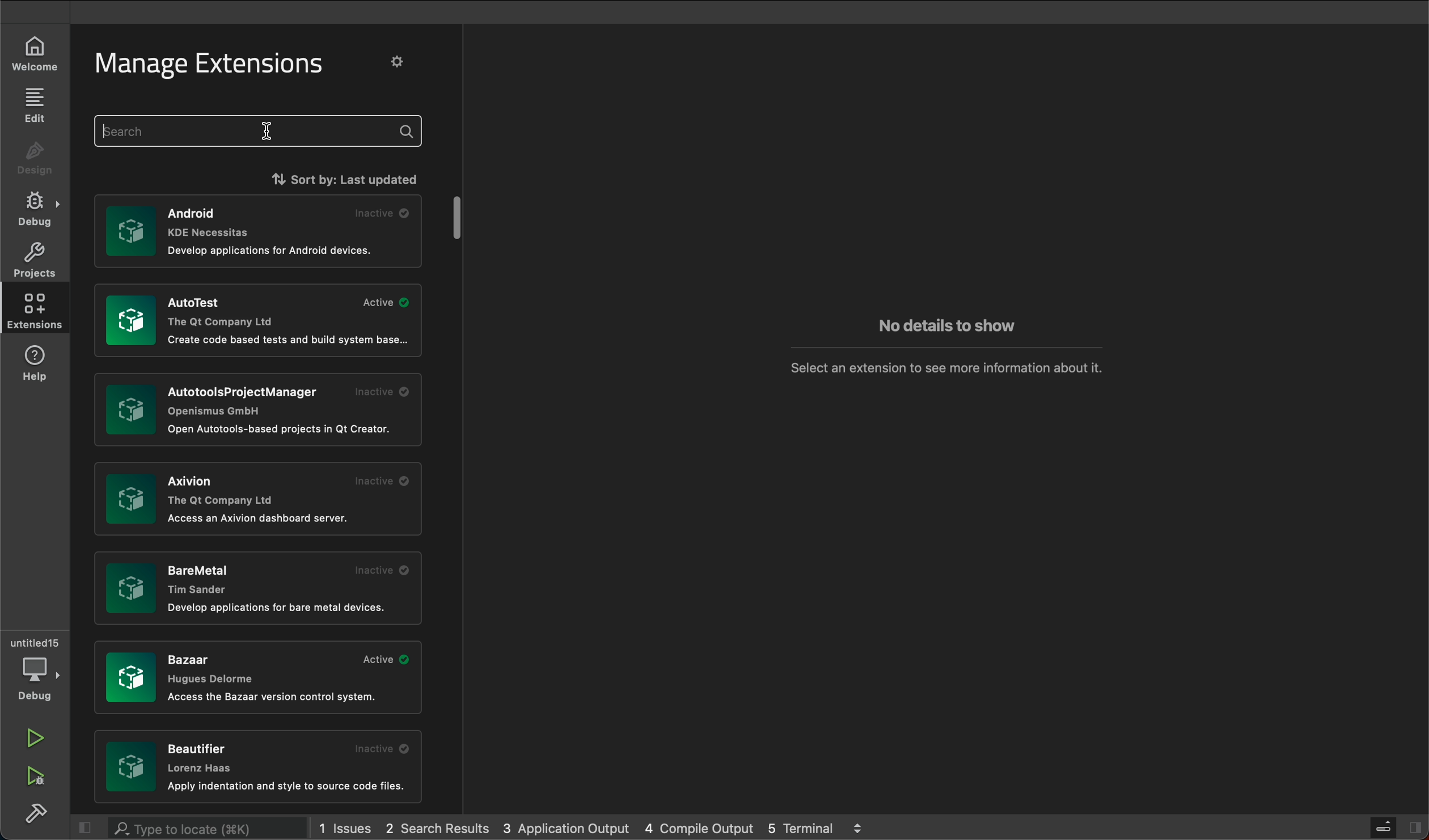 Image resolution: width=1429 pixels, height=840 pixels. What do you see at coordinates (222, 64) in the screenshot?
I see `manage extensions` at bounding box center [222, 64].